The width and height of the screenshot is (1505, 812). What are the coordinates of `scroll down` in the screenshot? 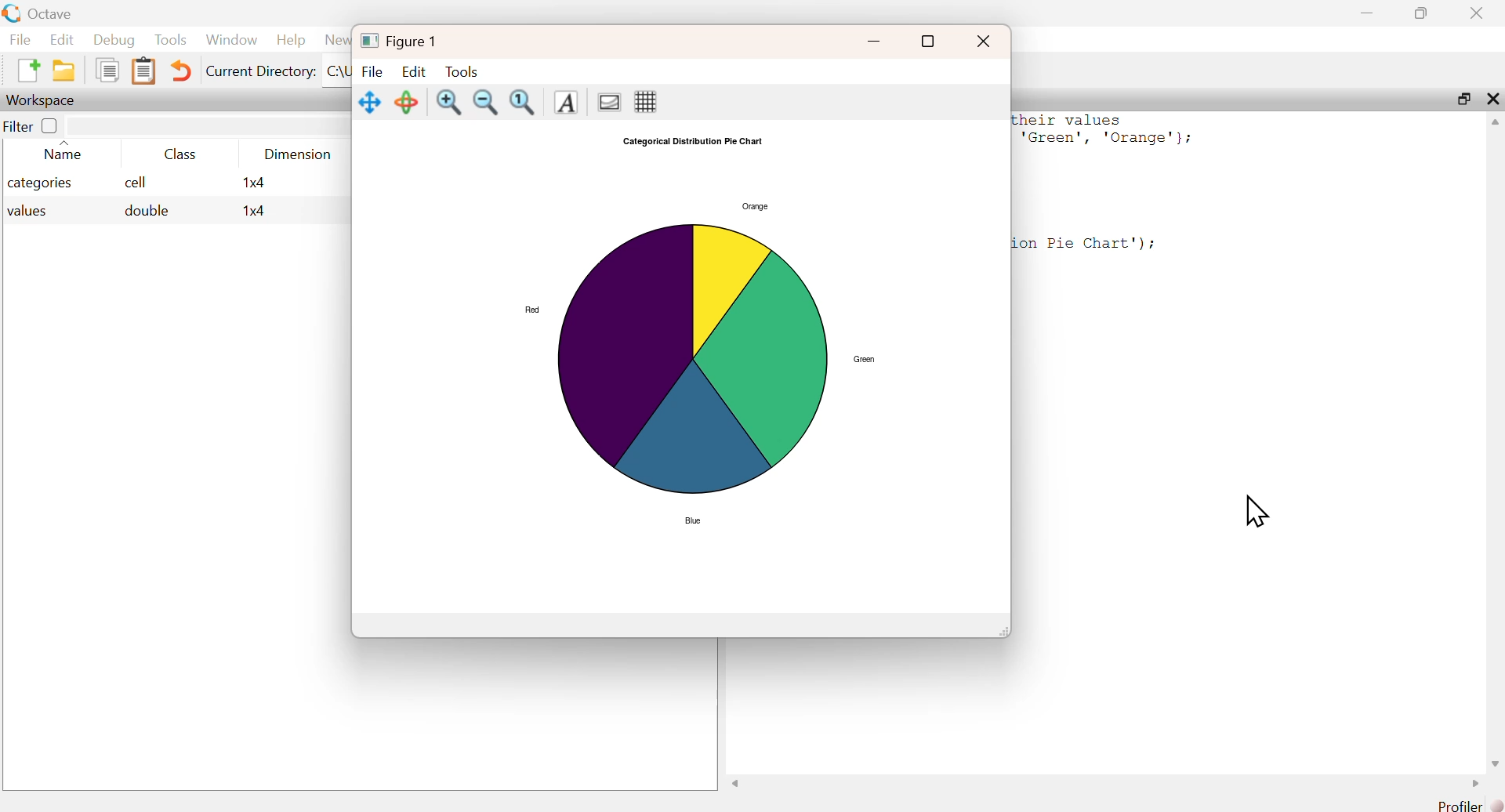 It's located at (1495, 763).